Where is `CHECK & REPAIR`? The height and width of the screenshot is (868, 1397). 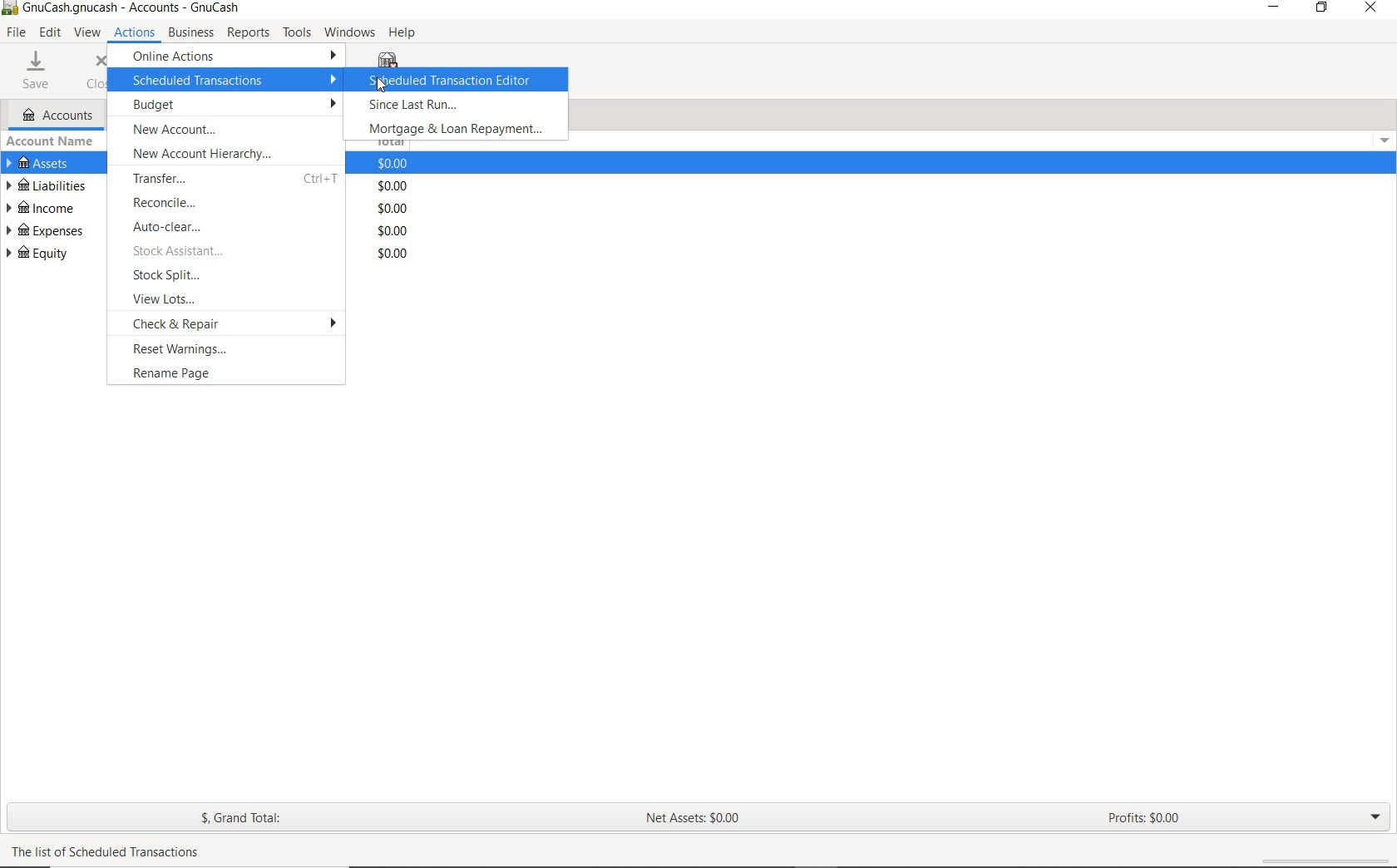 CHECK & REPAIR is located at coordinates (234, 323).